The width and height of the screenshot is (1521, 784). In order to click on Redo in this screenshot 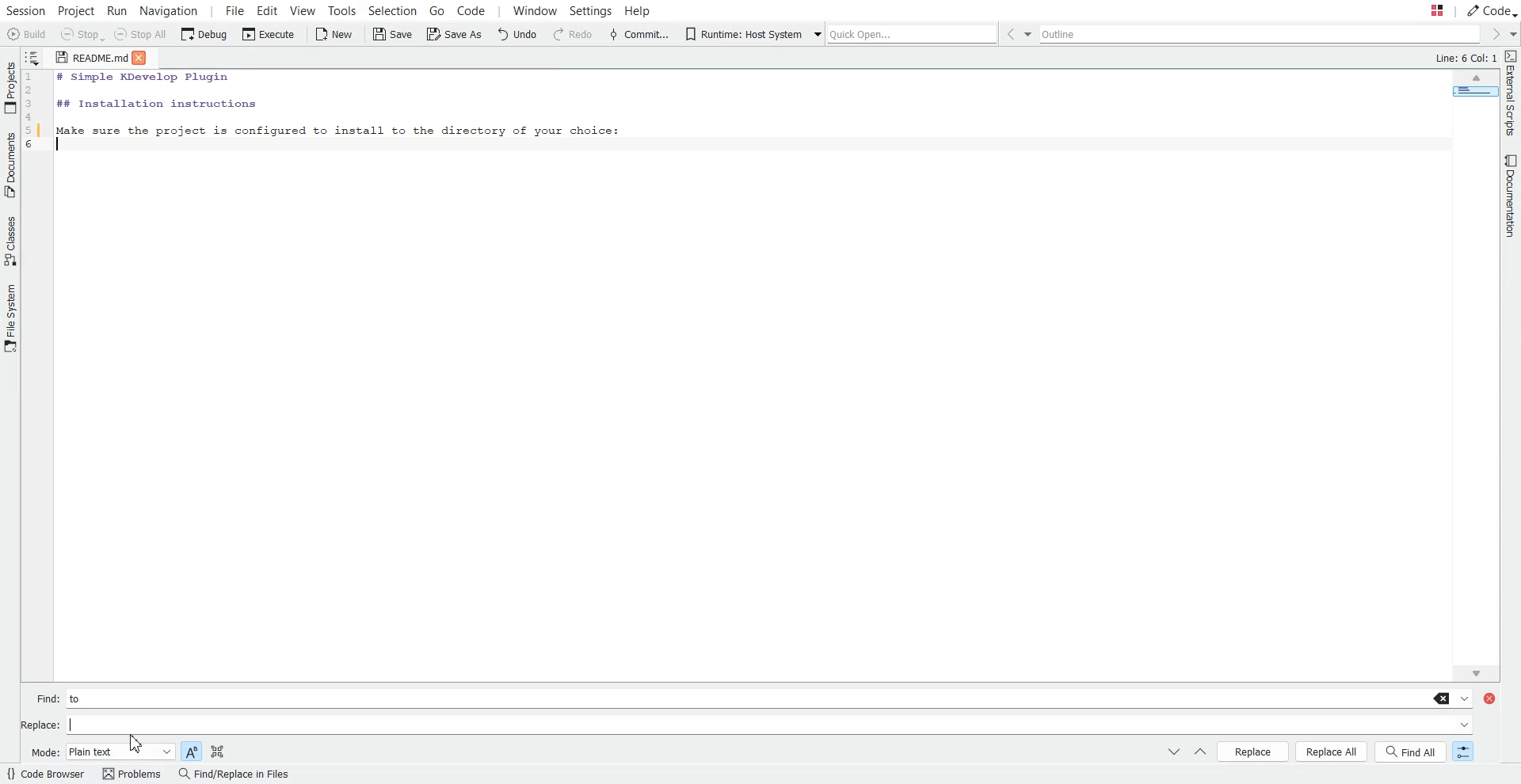, I will do `click(573, 35)`.